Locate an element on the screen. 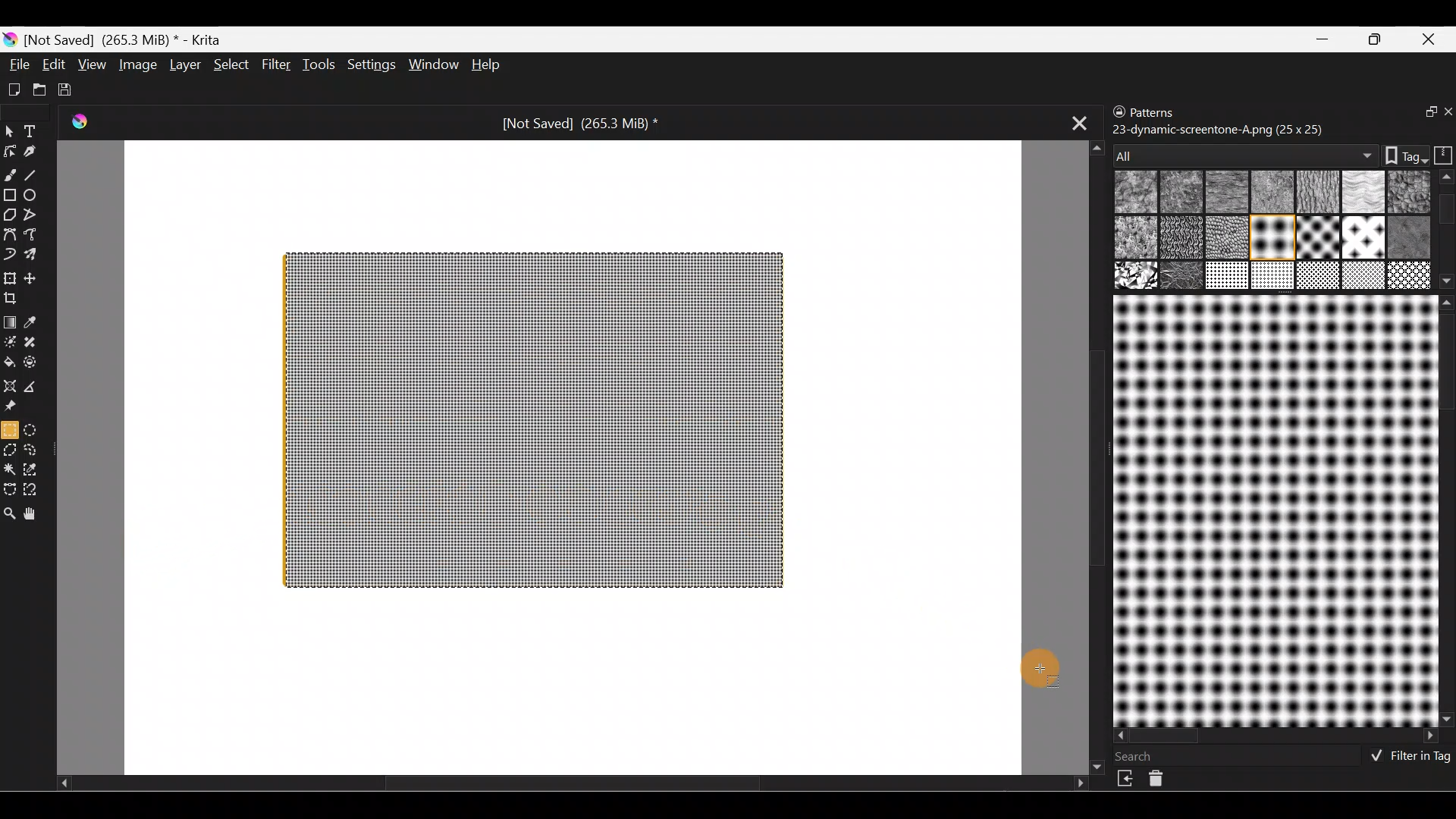 Image resolution: width=1456 pixels, height=819 pixels. Smart patch tool is located at coordinates (39, 344).